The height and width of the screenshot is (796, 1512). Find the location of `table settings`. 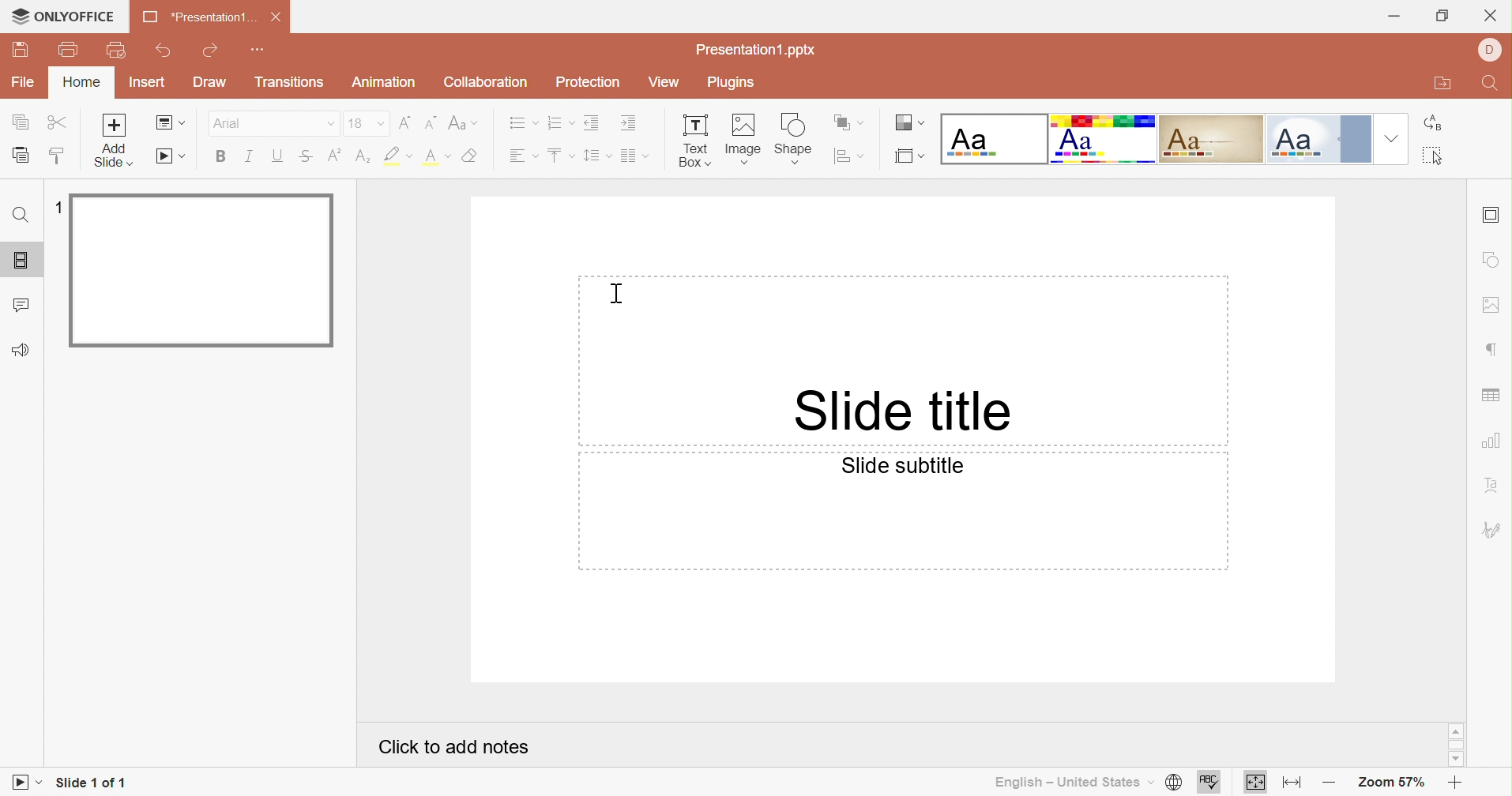

table settings is located at coordinates (1491, 396).